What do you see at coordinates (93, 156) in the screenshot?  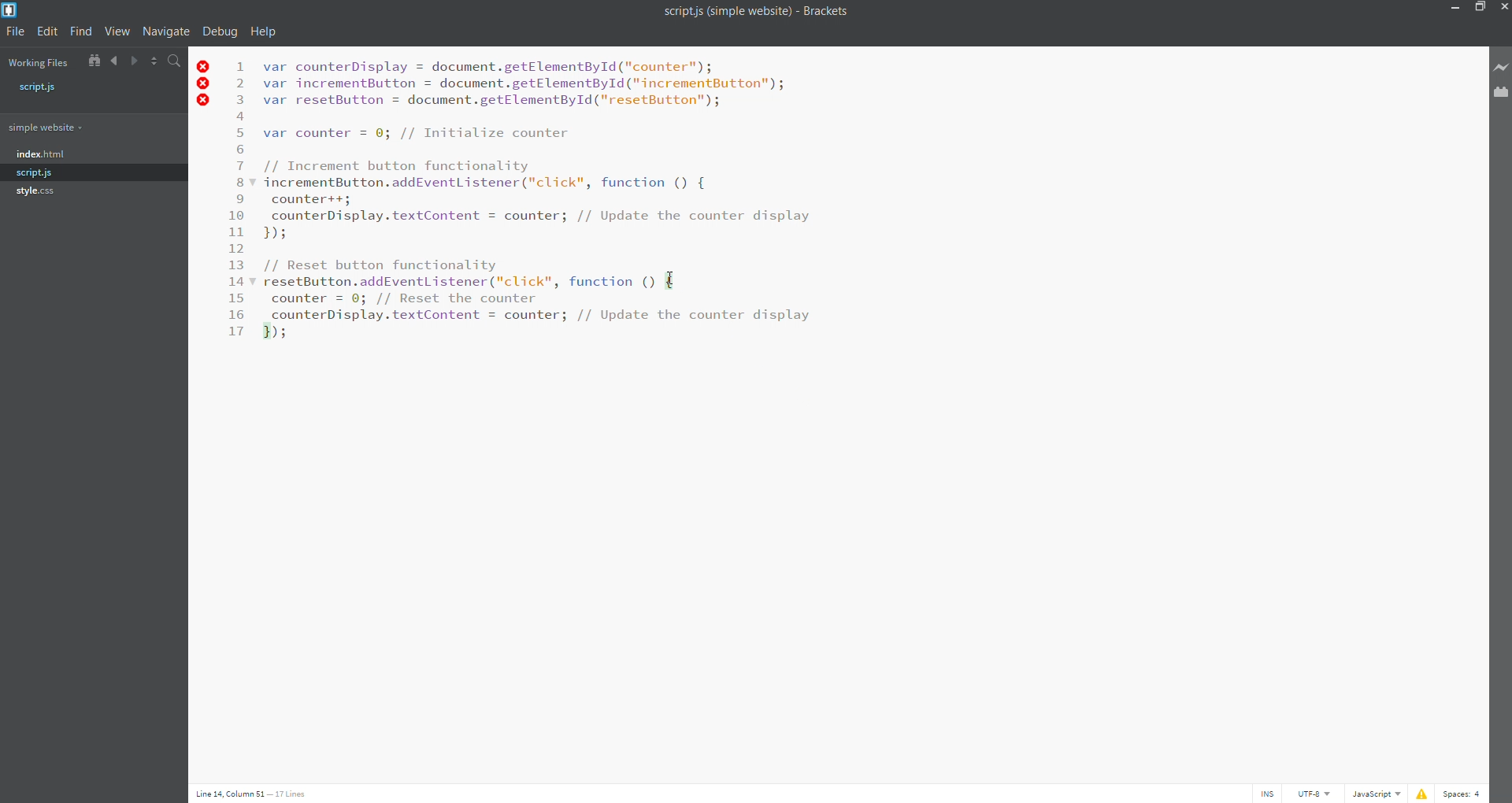 I see `index.html` at bounding box center [93, 156].